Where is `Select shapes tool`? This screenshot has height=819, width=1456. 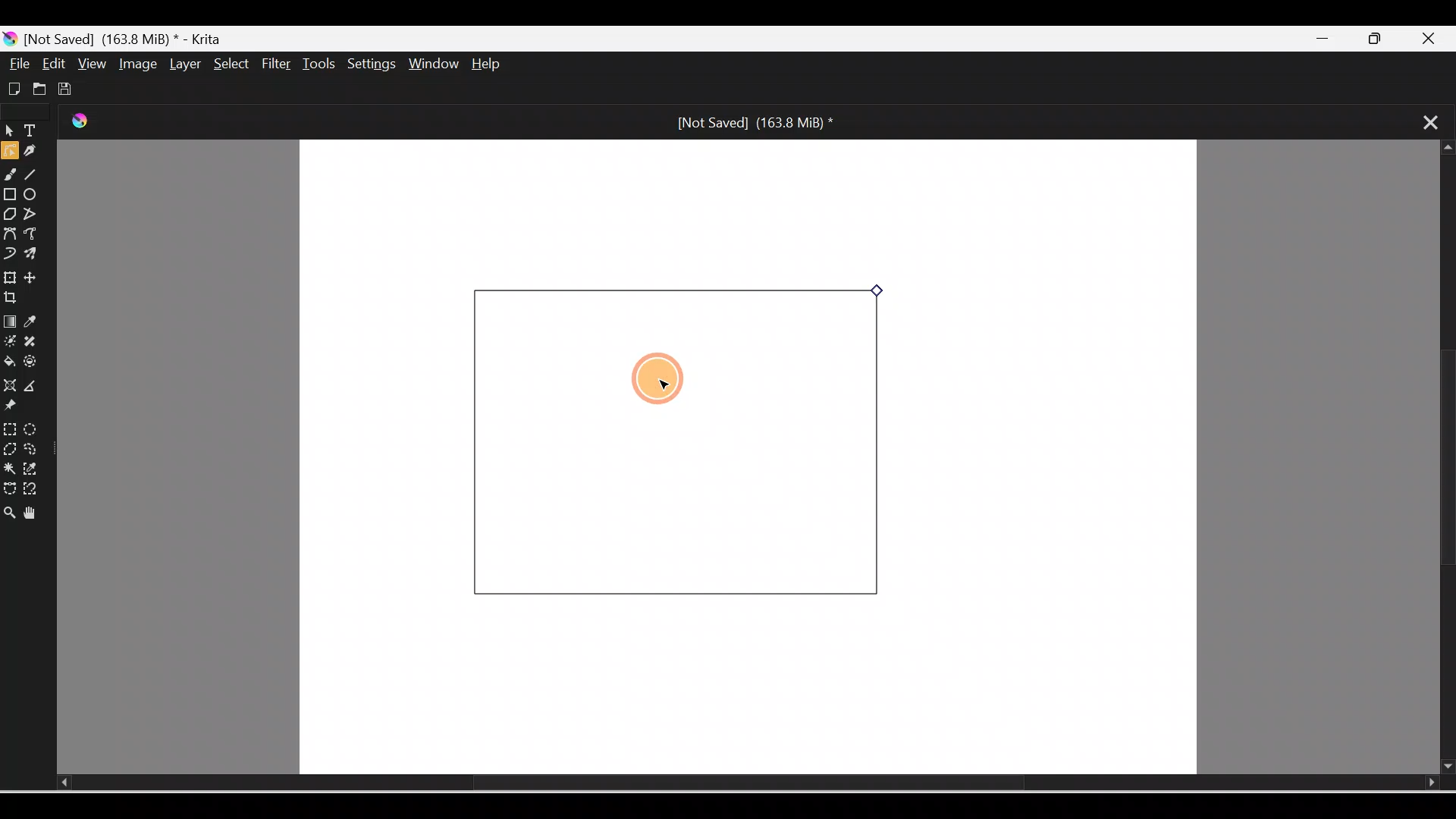
Select shapes tool is located at coordinates (9, 133).